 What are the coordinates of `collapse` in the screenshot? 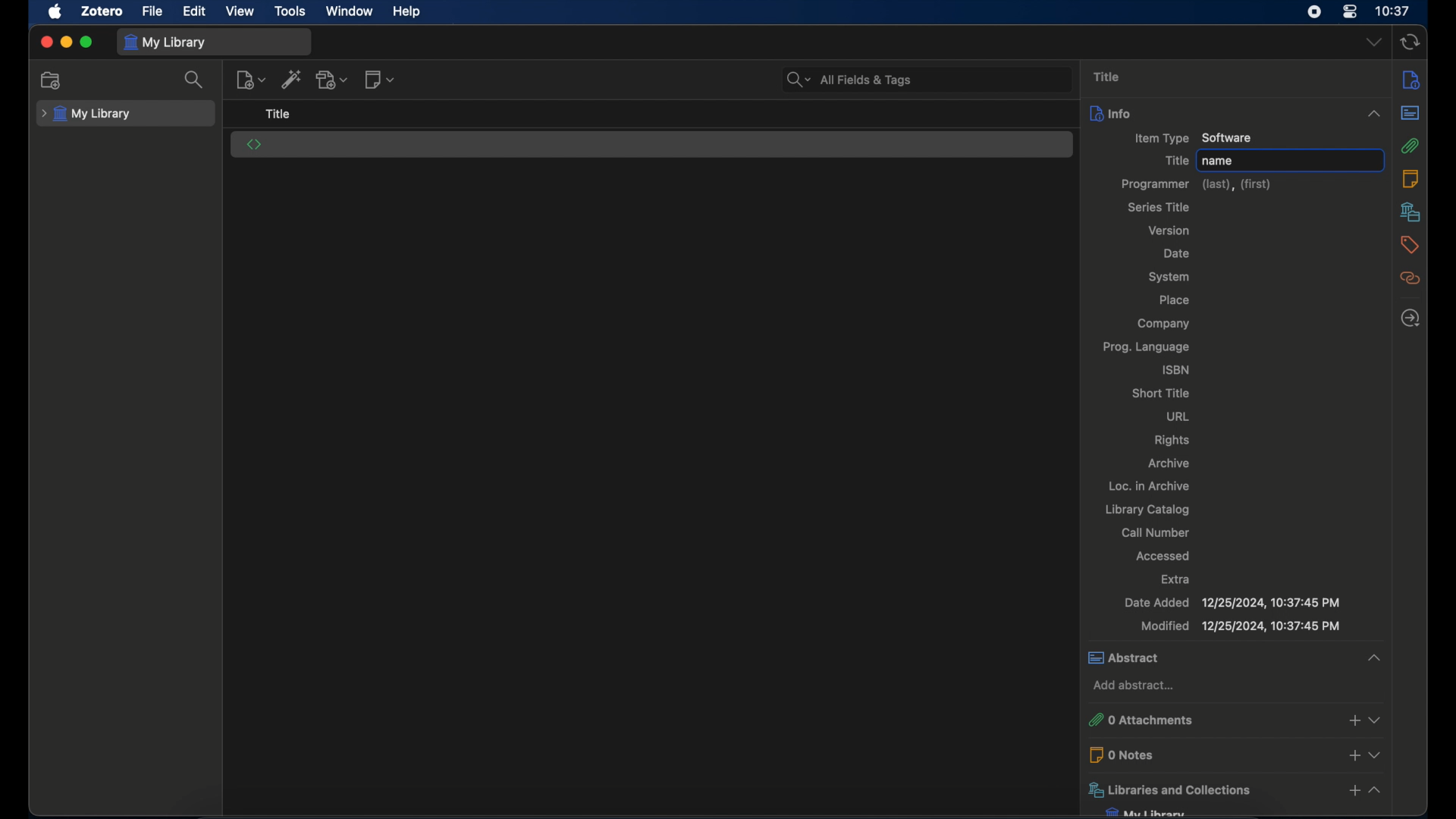 It's located at (1377, 792).